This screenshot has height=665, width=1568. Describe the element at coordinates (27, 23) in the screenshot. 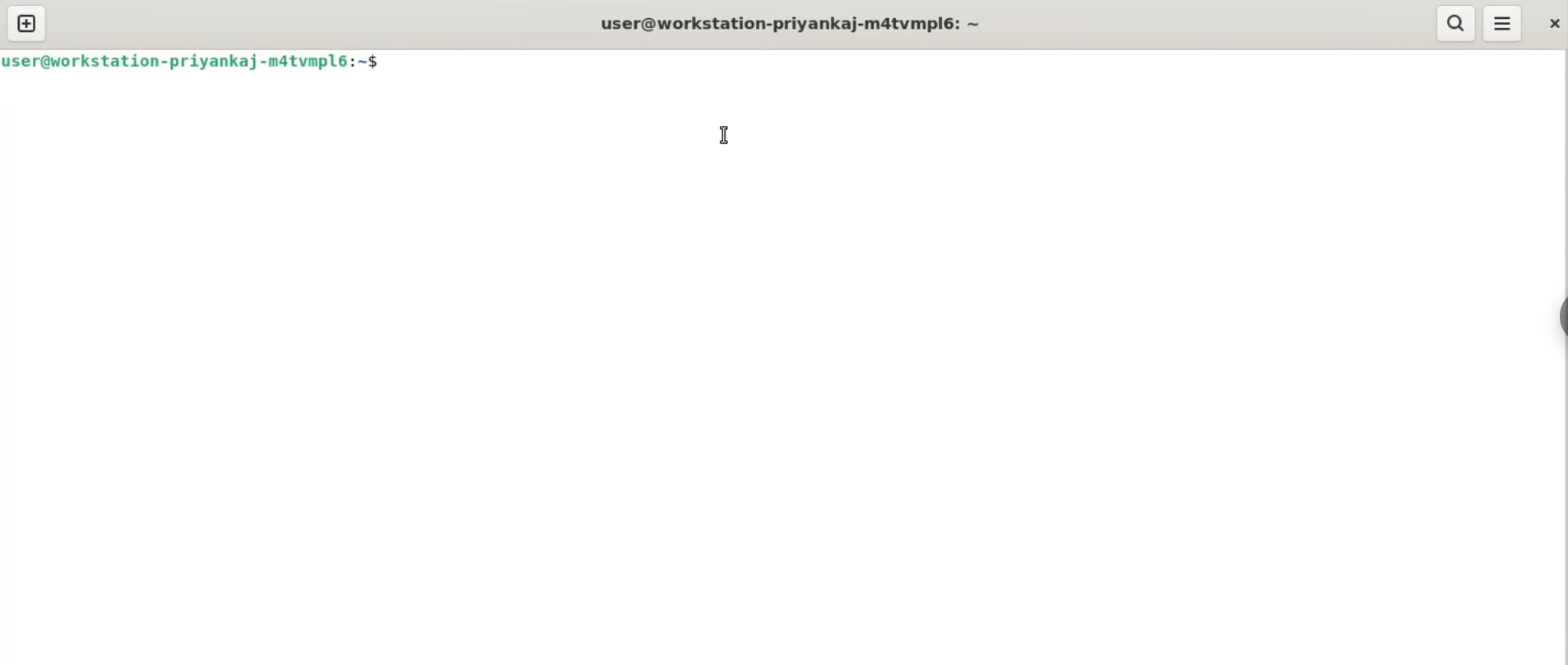

I see `new tab` at that location.